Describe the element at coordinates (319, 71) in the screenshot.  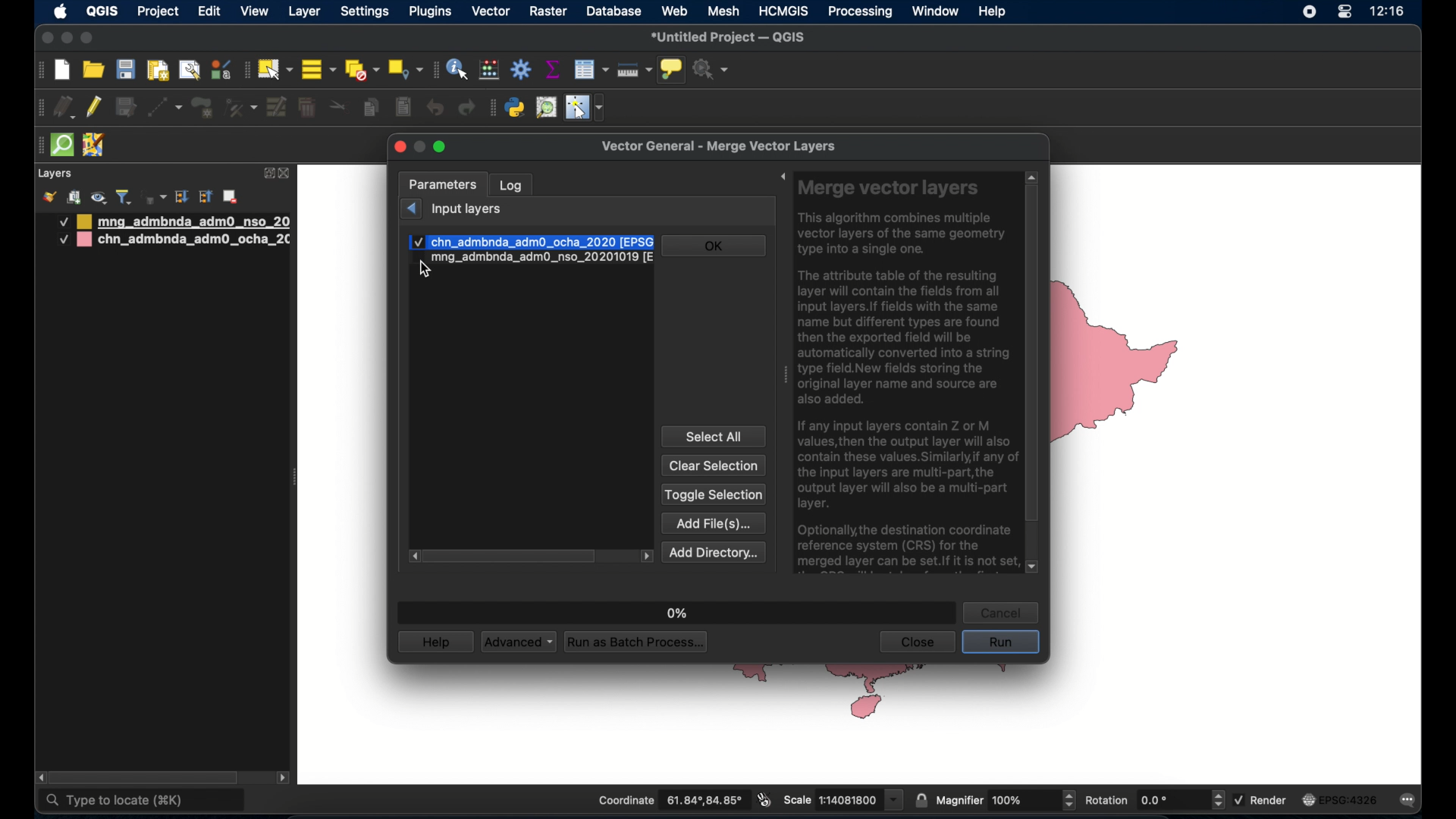
I see `select all features` at that location.